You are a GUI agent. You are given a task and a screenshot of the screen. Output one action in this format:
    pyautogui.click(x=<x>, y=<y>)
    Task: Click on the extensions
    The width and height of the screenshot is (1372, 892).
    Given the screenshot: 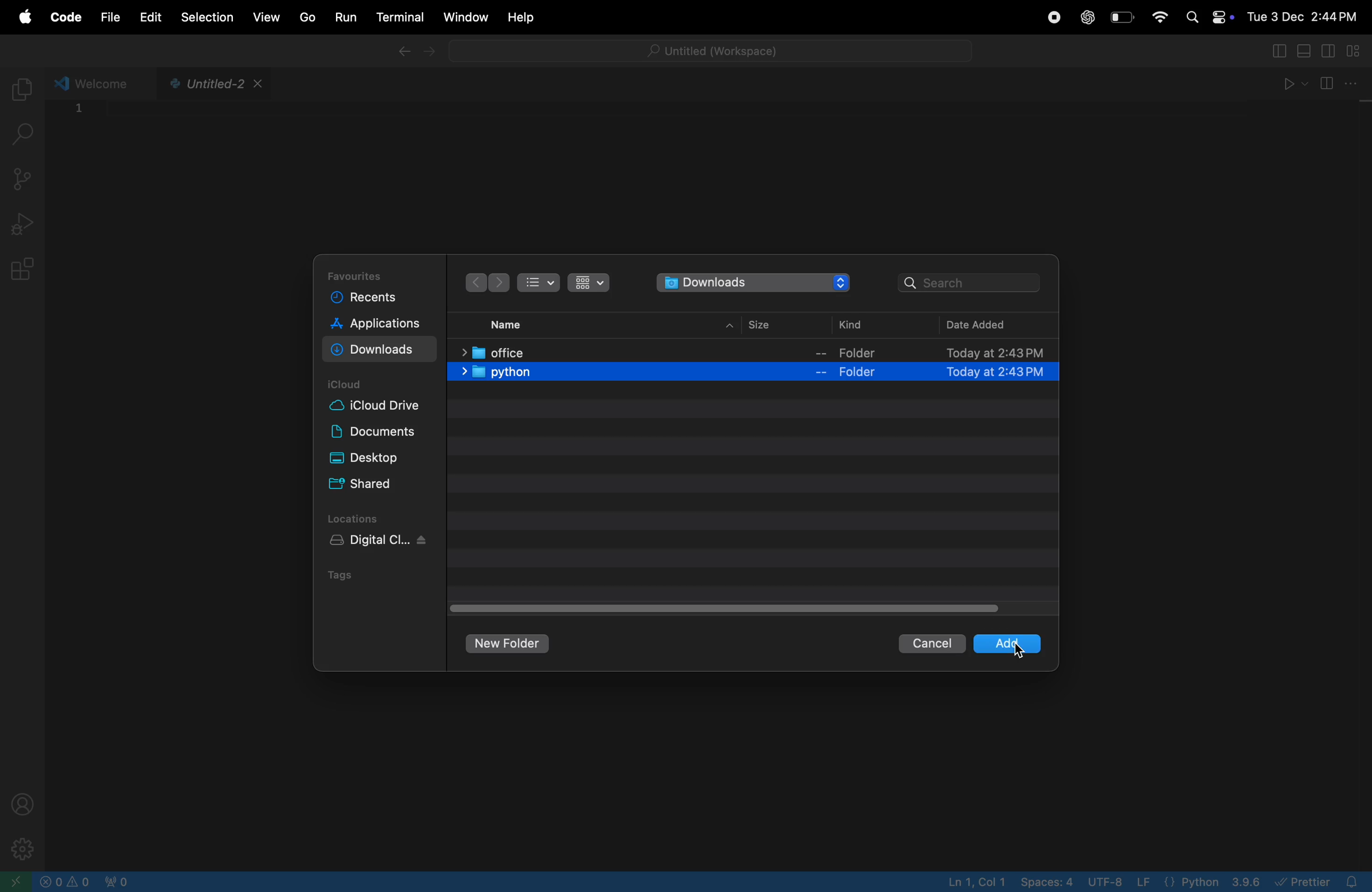 What is the action you would take?
    pyautogui.click(x=22, y=273)
    